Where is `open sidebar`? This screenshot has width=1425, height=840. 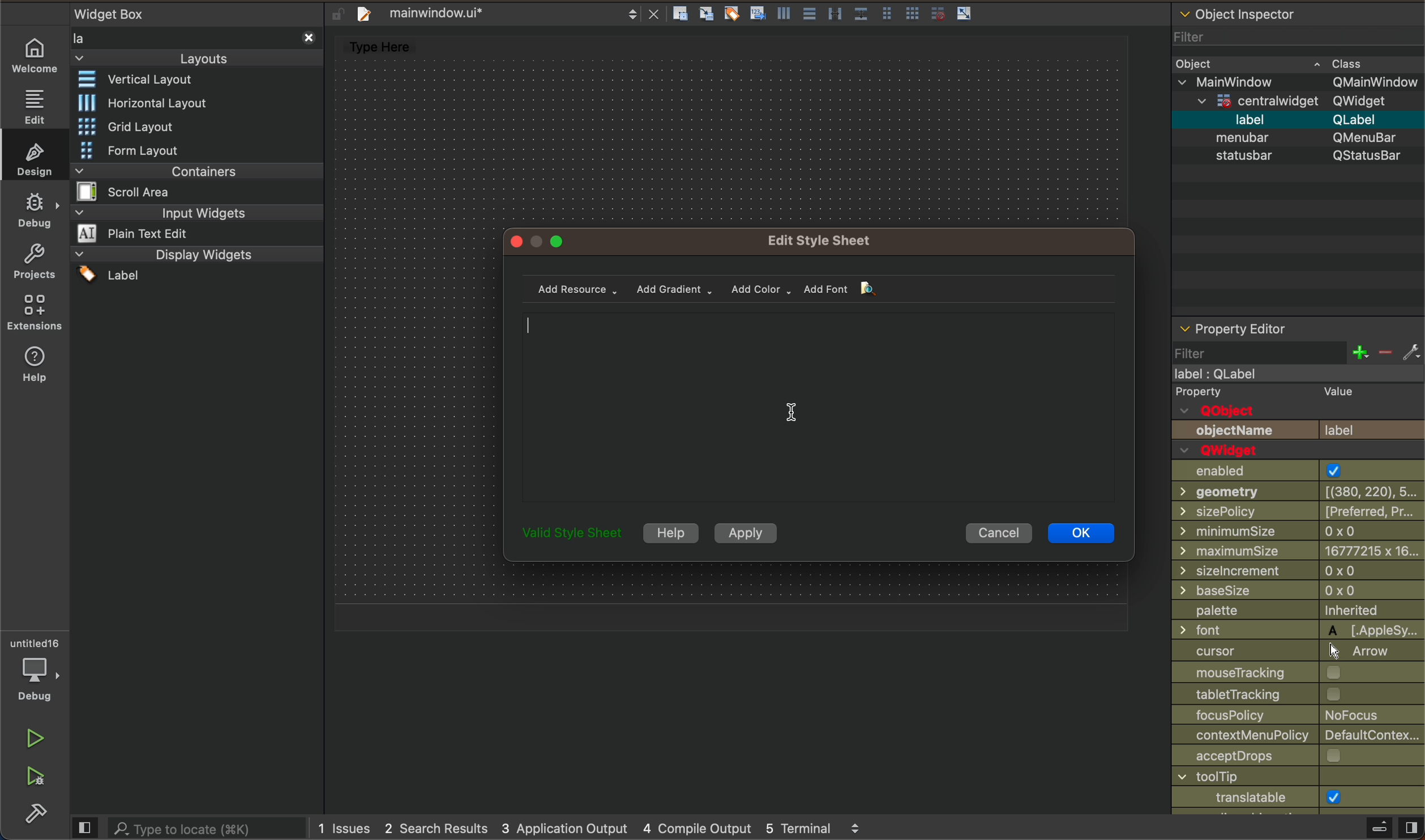
open sidebar is located at coordinates (1375, 828).